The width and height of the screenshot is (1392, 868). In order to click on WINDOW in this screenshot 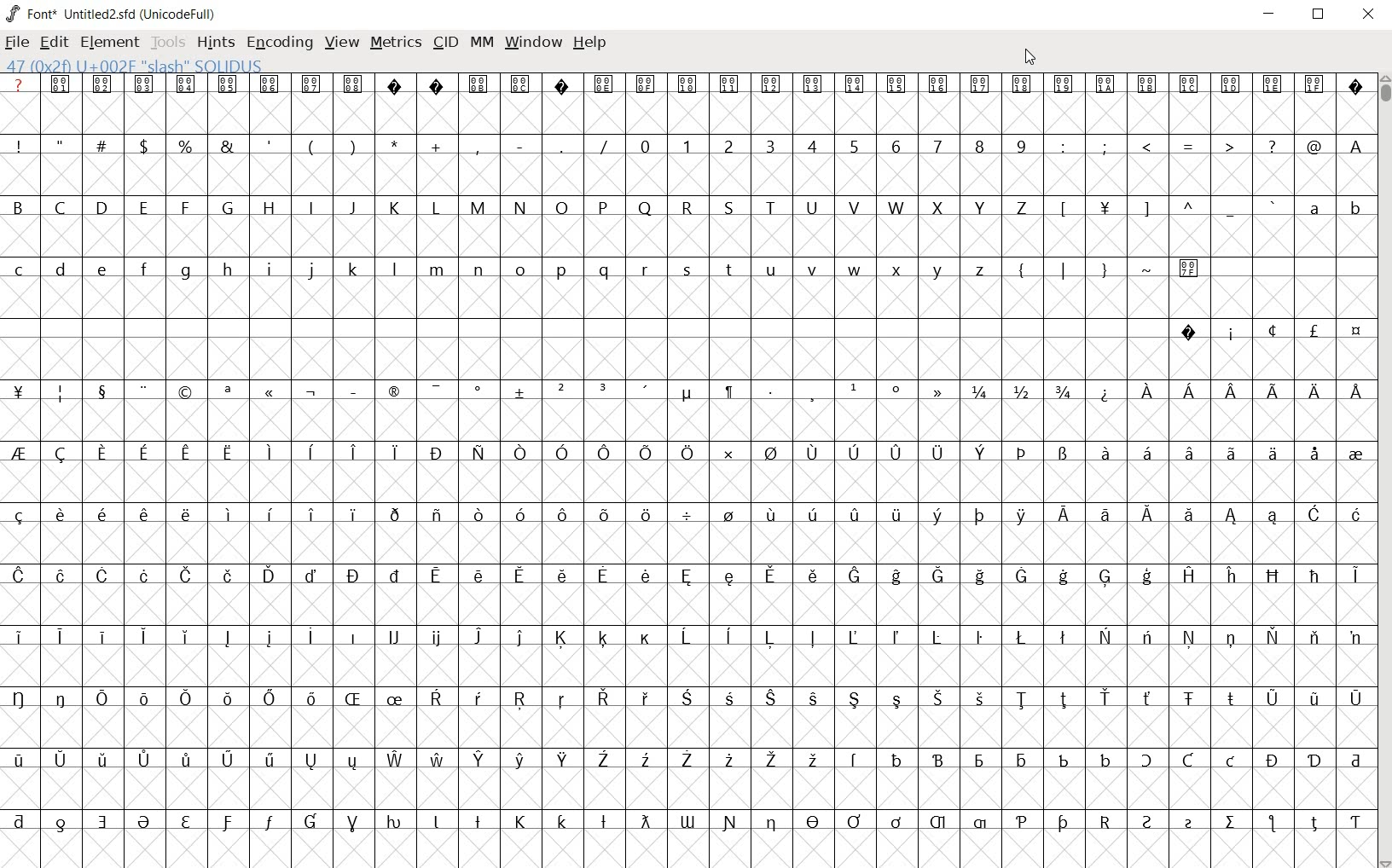, I will do `click(531, 43)`.